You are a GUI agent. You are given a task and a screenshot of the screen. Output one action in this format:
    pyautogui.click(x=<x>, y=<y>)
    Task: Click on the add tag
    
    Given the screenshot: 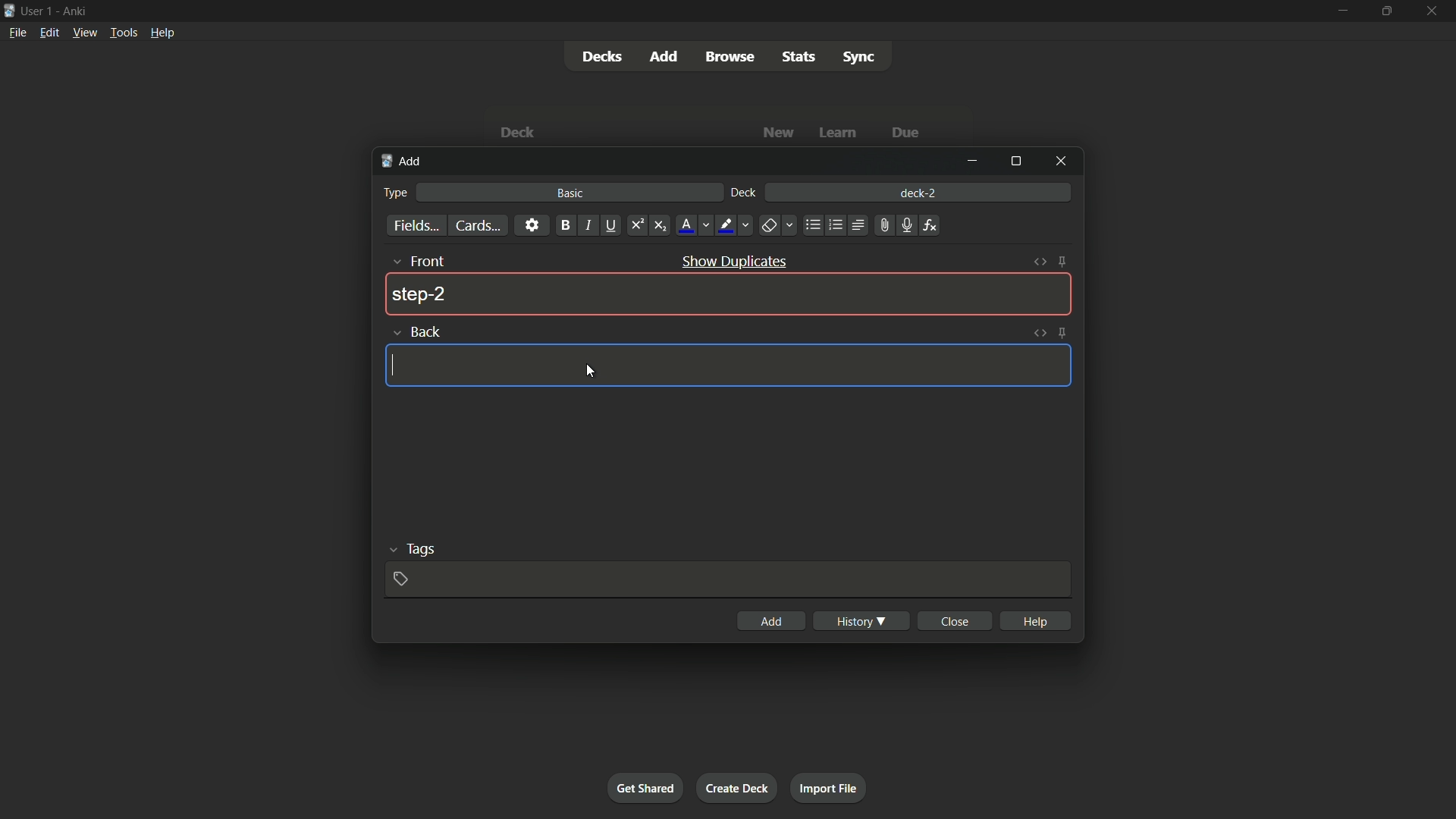 What is the action you would take?
    pyautogui.click(x=403, y=579)
    